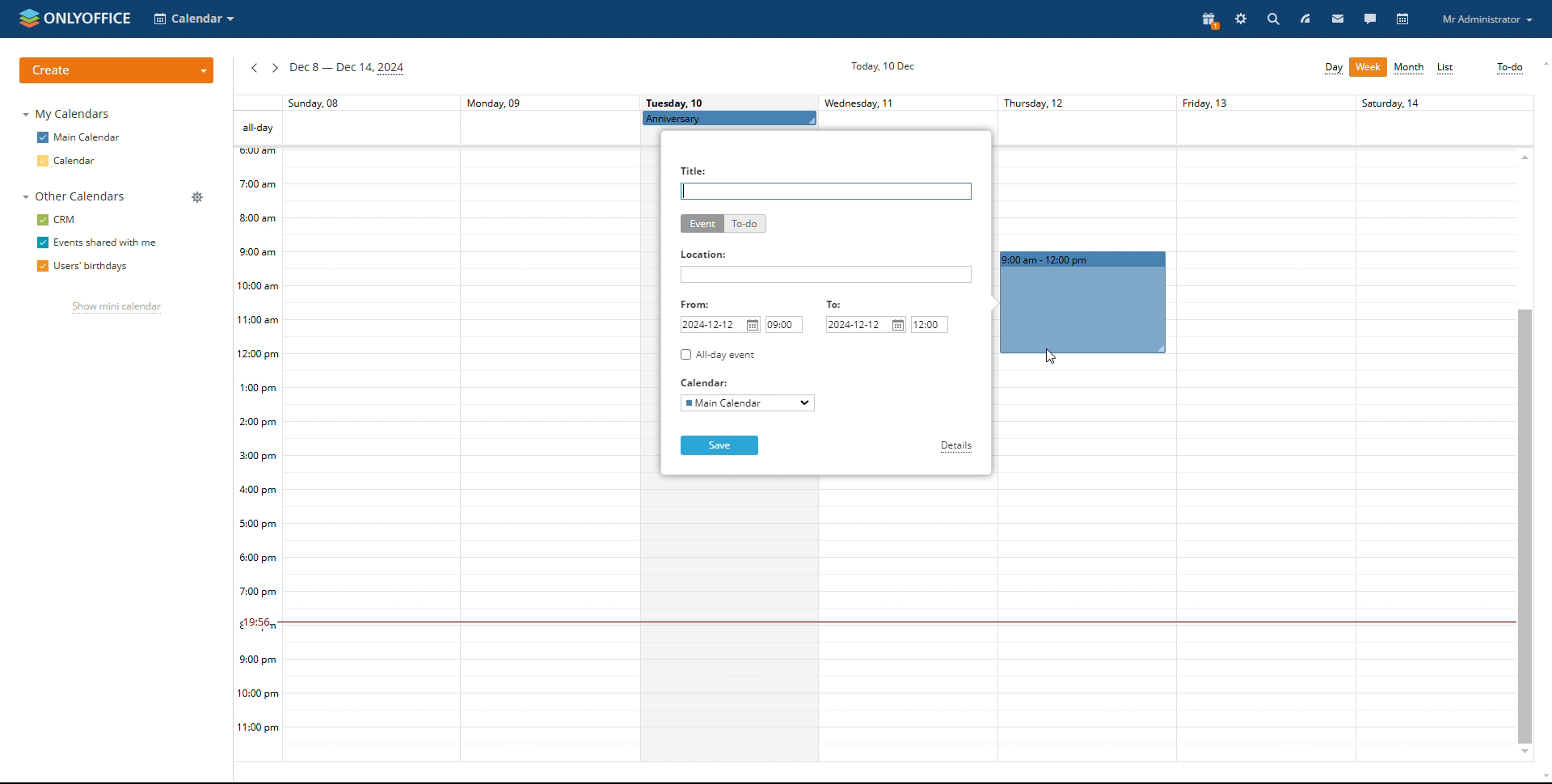 The height and width of the screenshot is (784, 1552). I want to click on onlyoffice, so click(95, 17).